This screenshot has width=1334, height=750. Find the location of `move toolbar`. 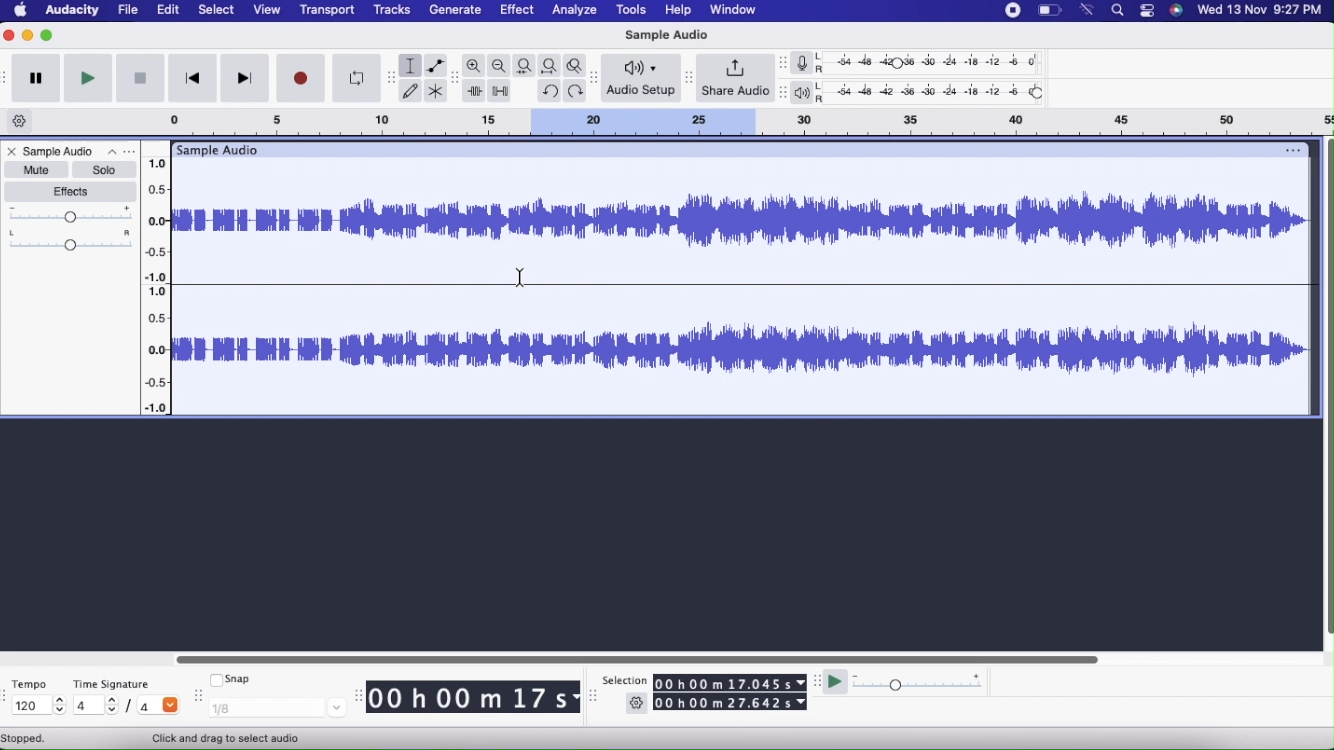

move toolbar is located at coordinates (456, 76).